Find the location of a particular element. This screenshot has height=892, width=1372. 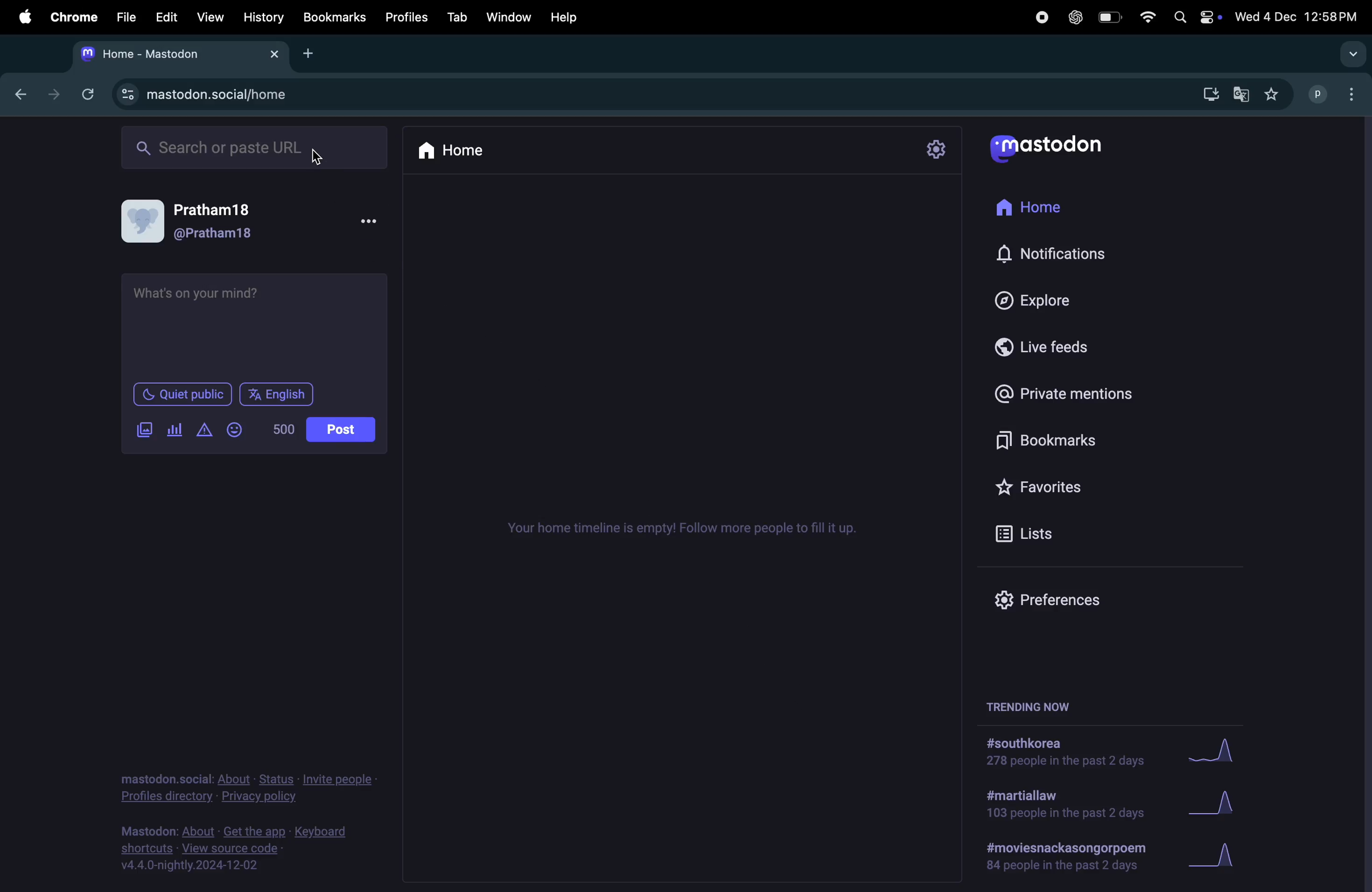

Chrome is located at coordinates (72, 16).